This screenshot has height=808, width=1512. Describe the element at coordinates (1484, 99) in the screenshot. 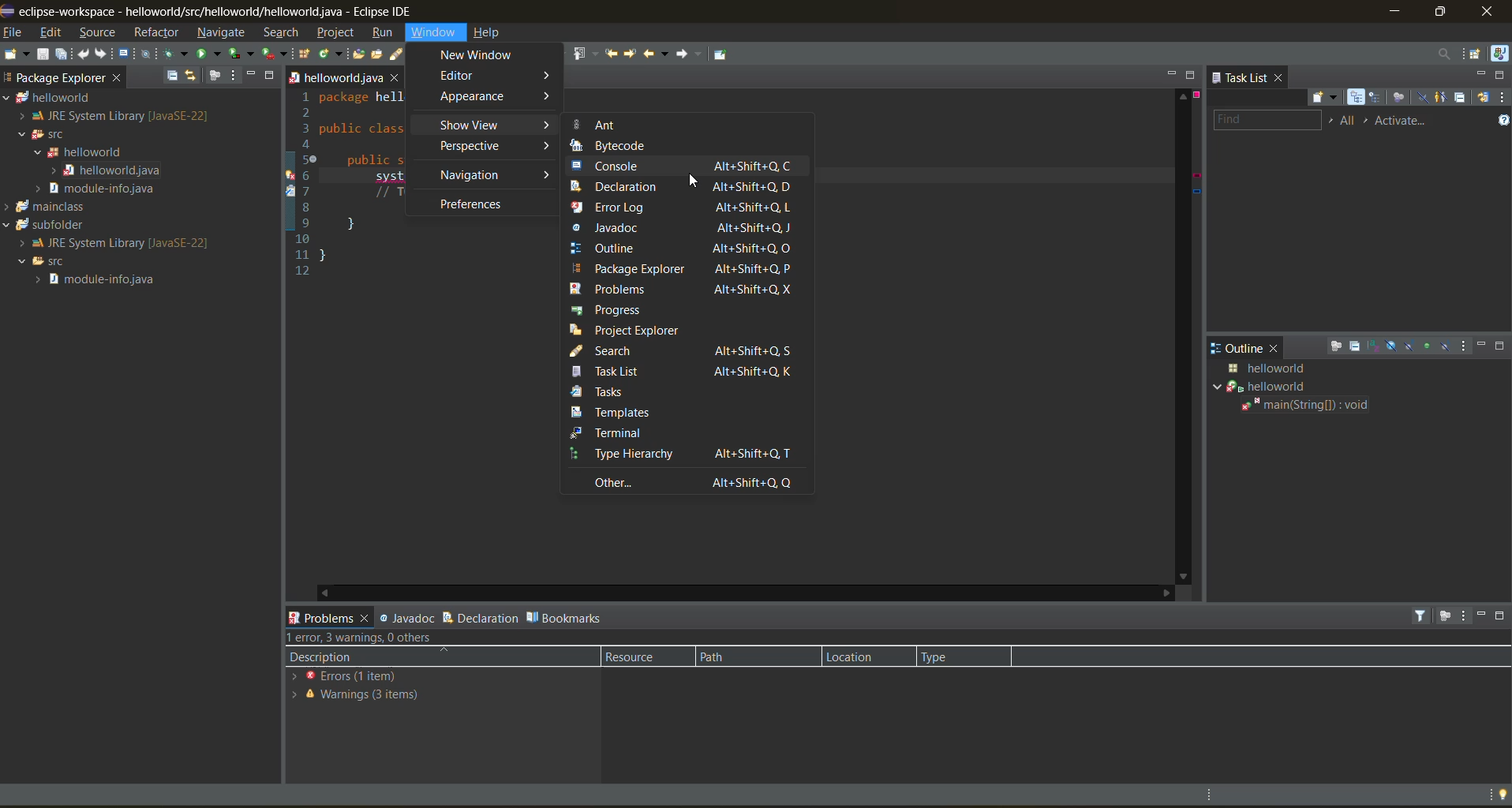

I see `synchronize changed` at that location.